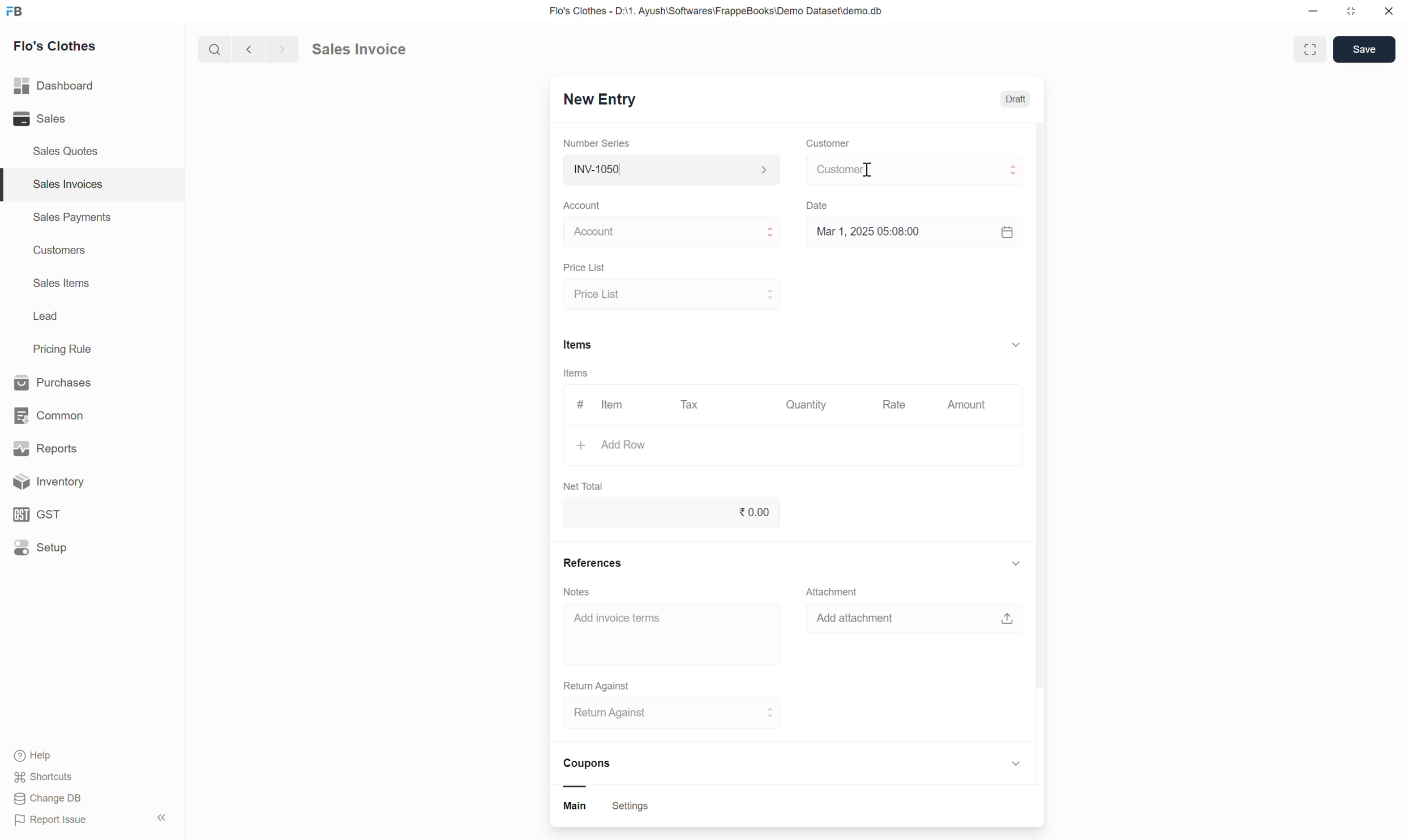 Image resolution: width=1408 pixels, height=840 pixels. I want to click on Items, so click(577, 344).